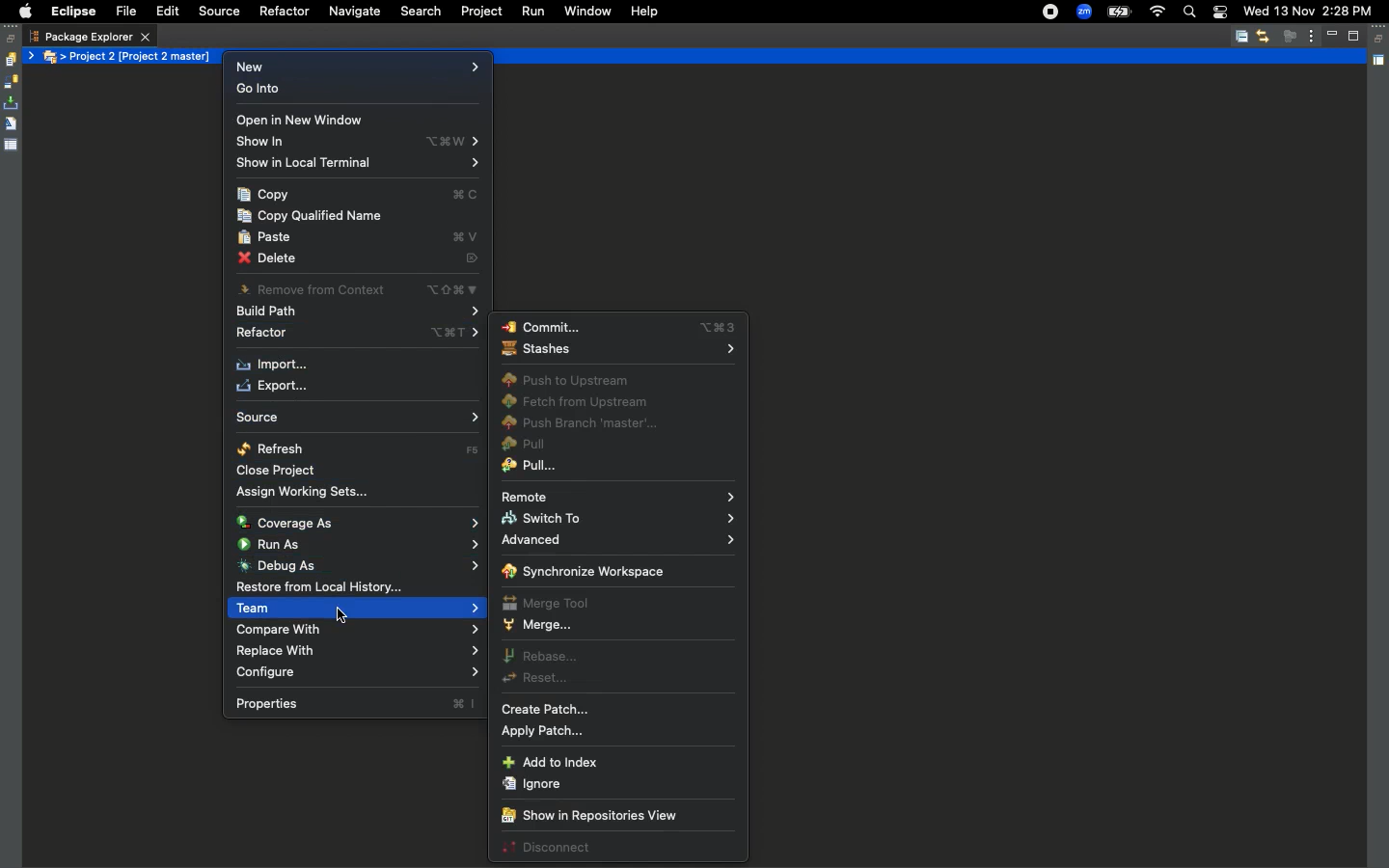 This screenshot has width=1389, height=868. I want to click on Assign working sets, so click(308, 493).